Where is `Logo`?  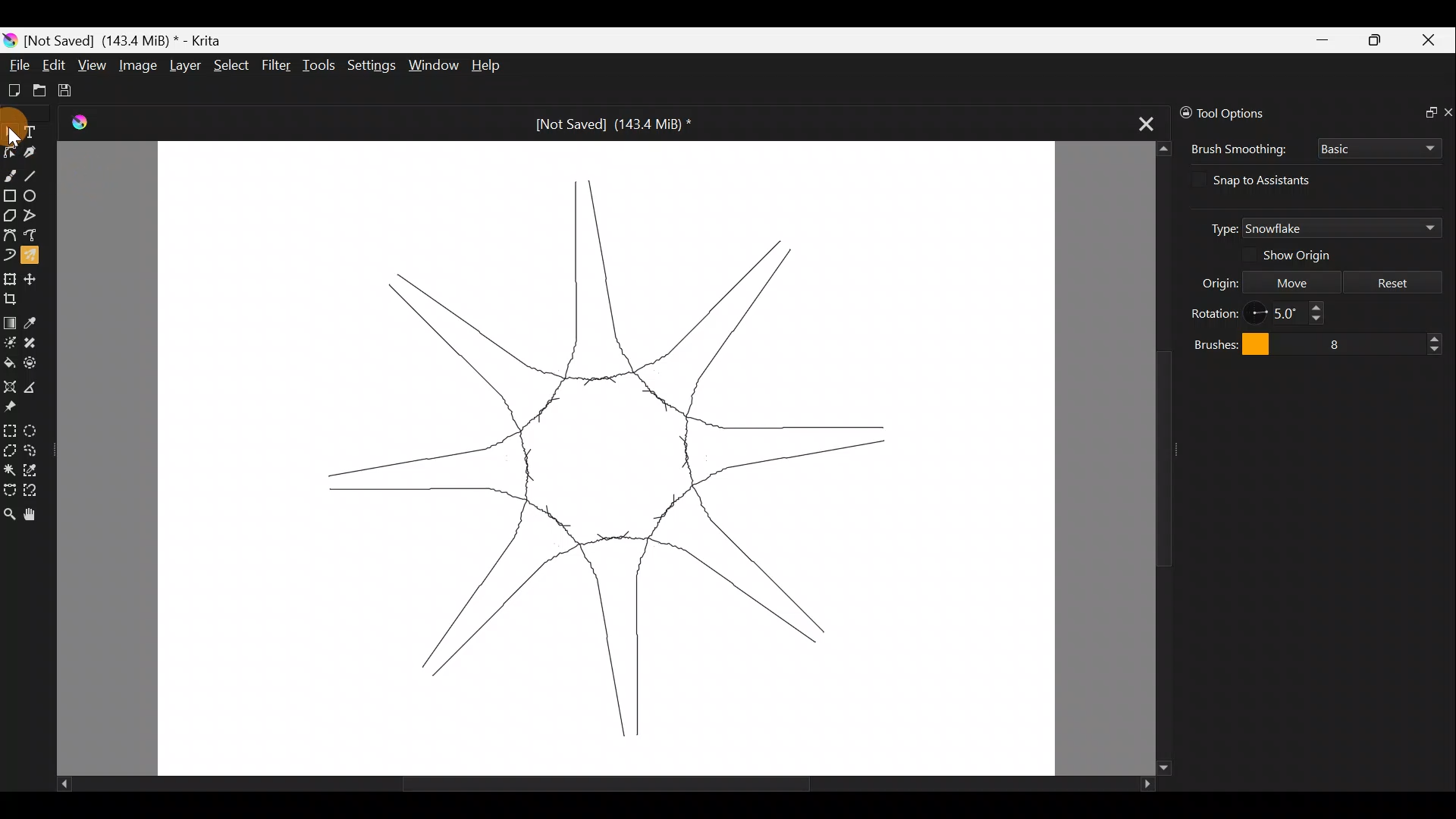
Logo is located at coordinates (86, 124).